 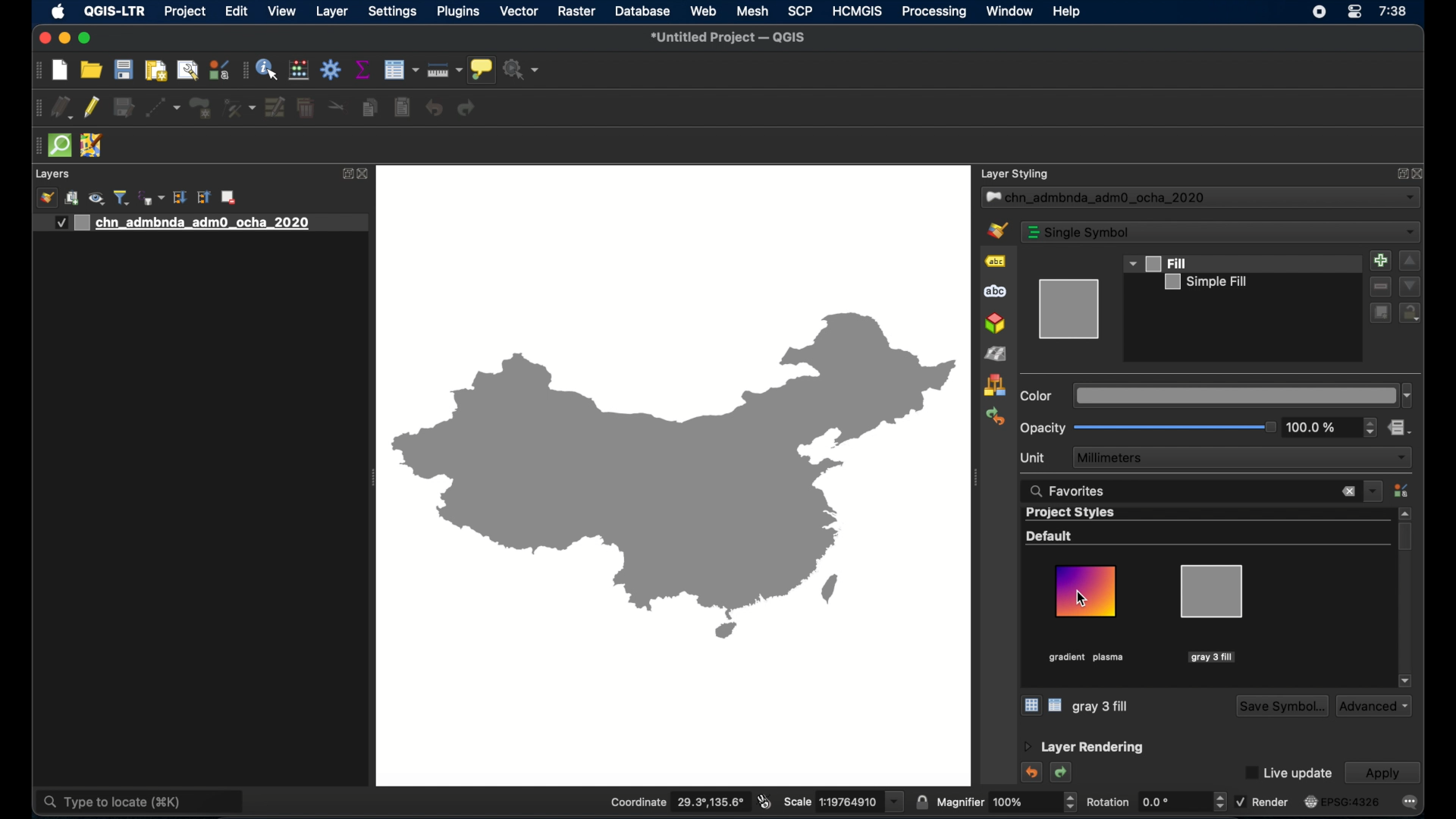 I want to click on remove layer group, so click(x=228, y=197).